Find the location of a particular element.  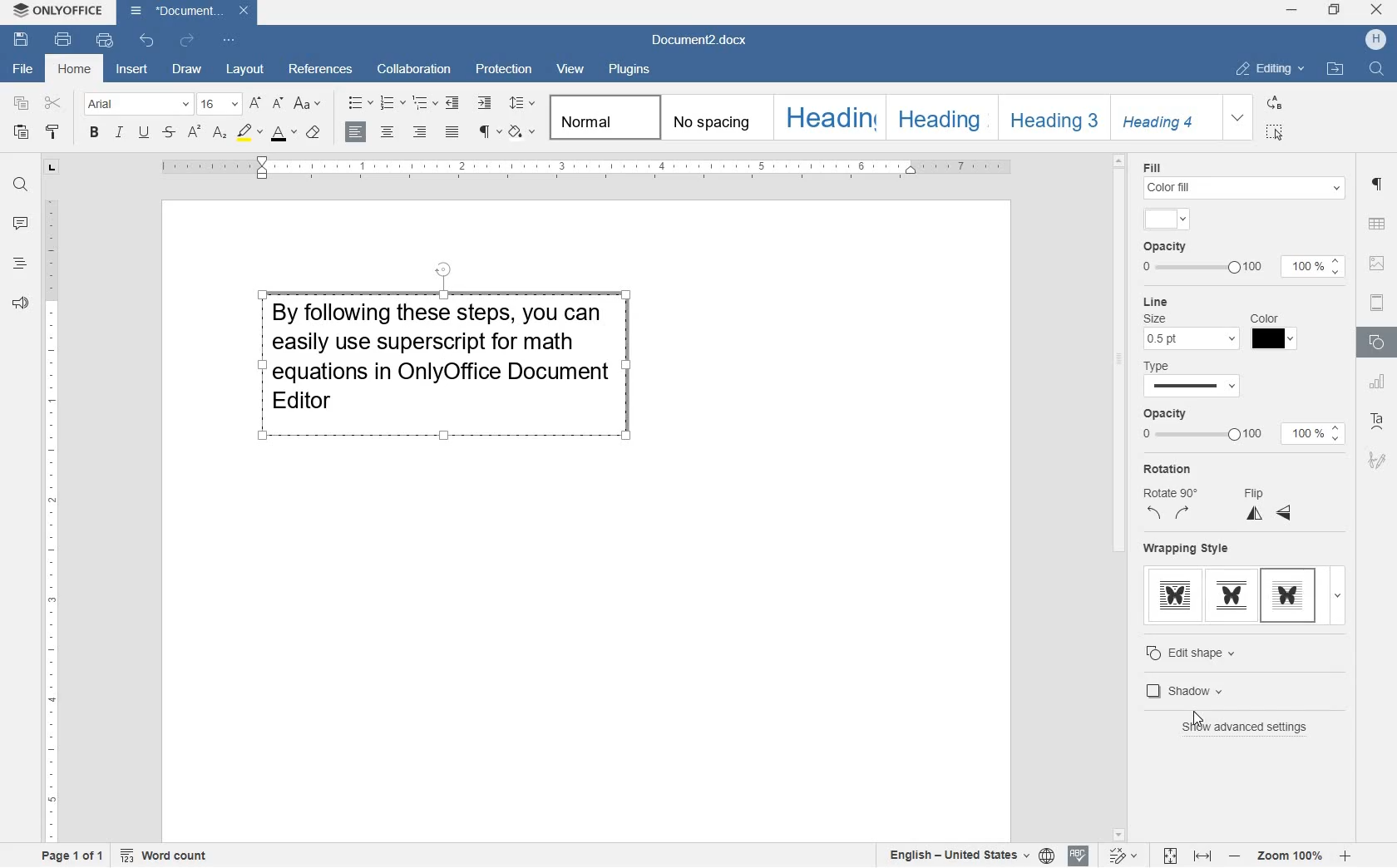

underline is located at coordinates (143, 131).